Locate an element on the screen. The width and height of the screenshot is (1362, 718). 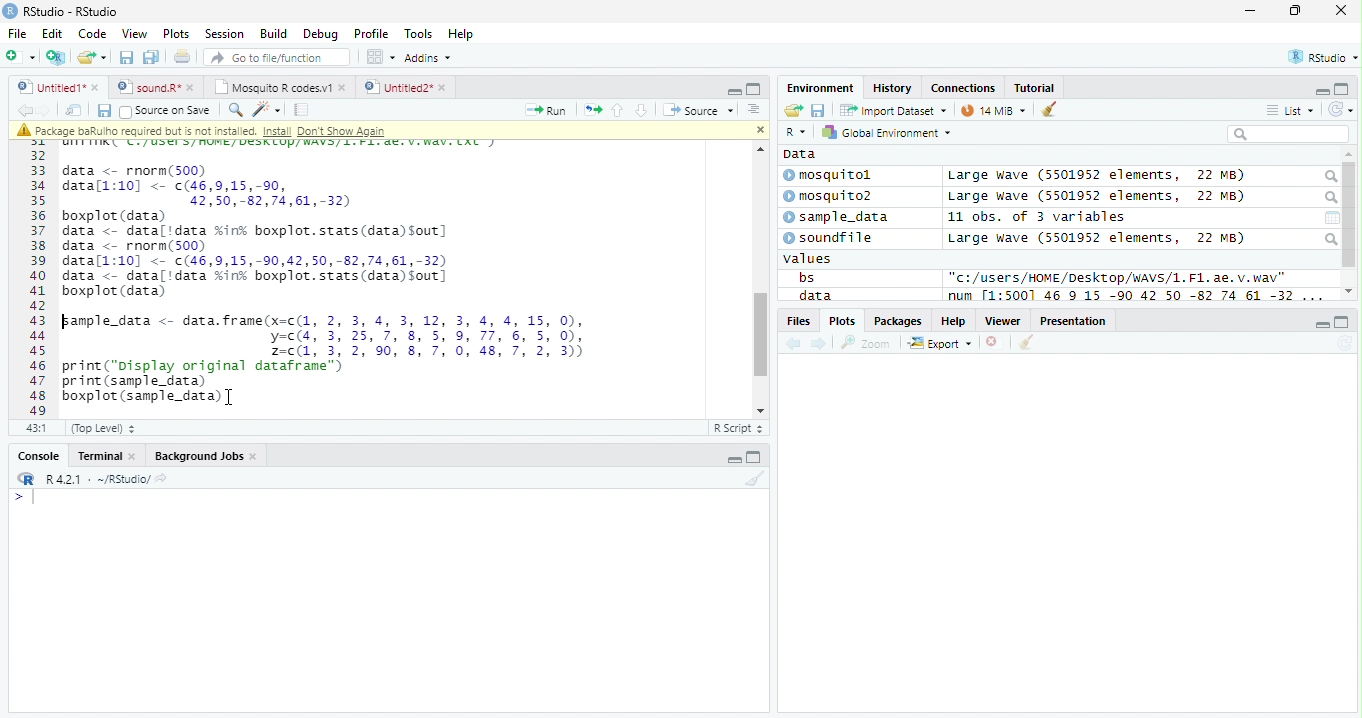
Logo is located at coordinates (11, 11).